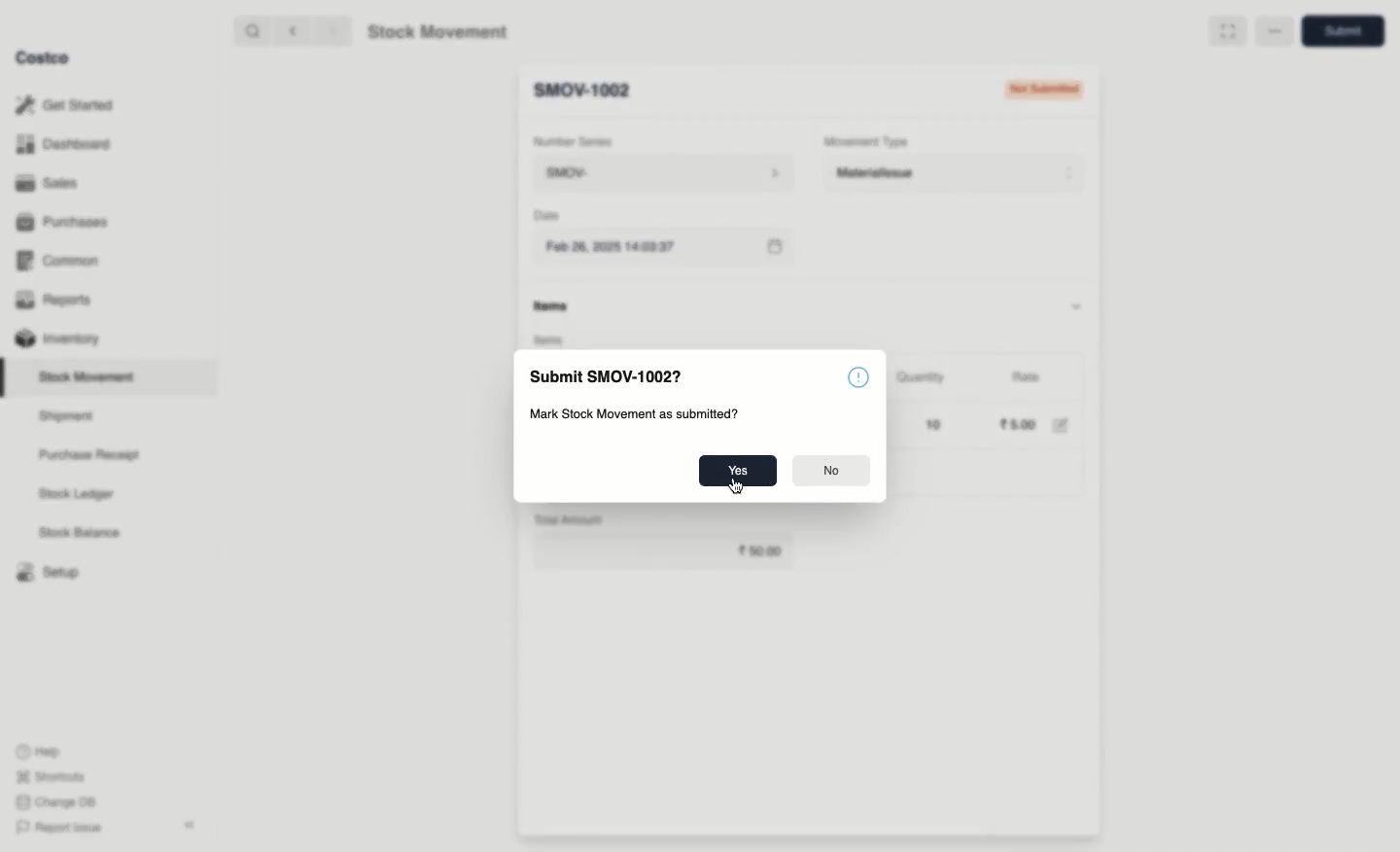 This screenshot has height=852, width=1400. Describe the element at coordinates (66, 224) in the screenshot. I see `Purchases` at that location.